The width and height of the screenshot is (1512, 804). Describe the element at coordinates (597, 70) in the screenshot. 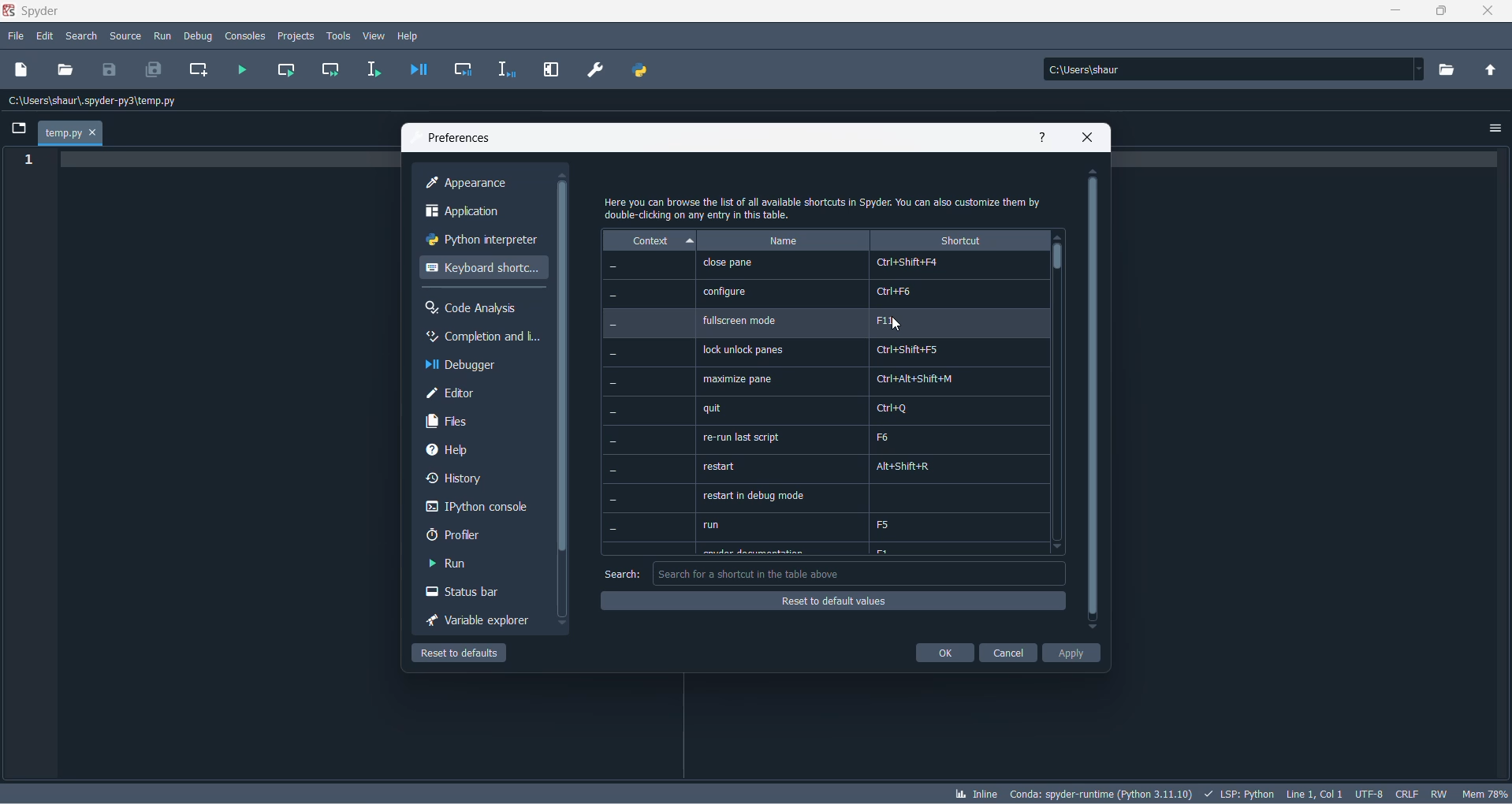

I see `PREFERENCES` at that location.